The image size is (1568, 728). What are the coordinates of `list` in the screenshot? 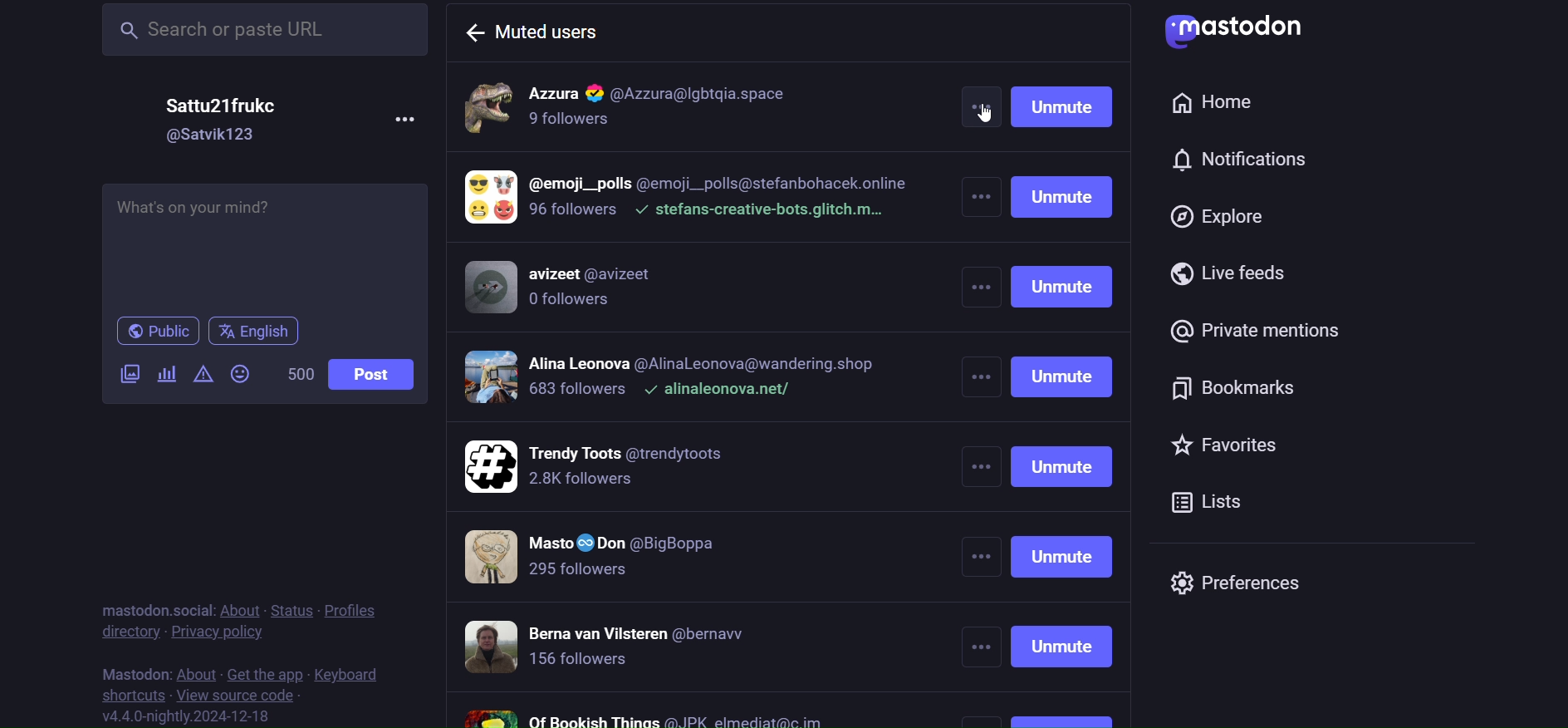 It's located at (1224, 501).